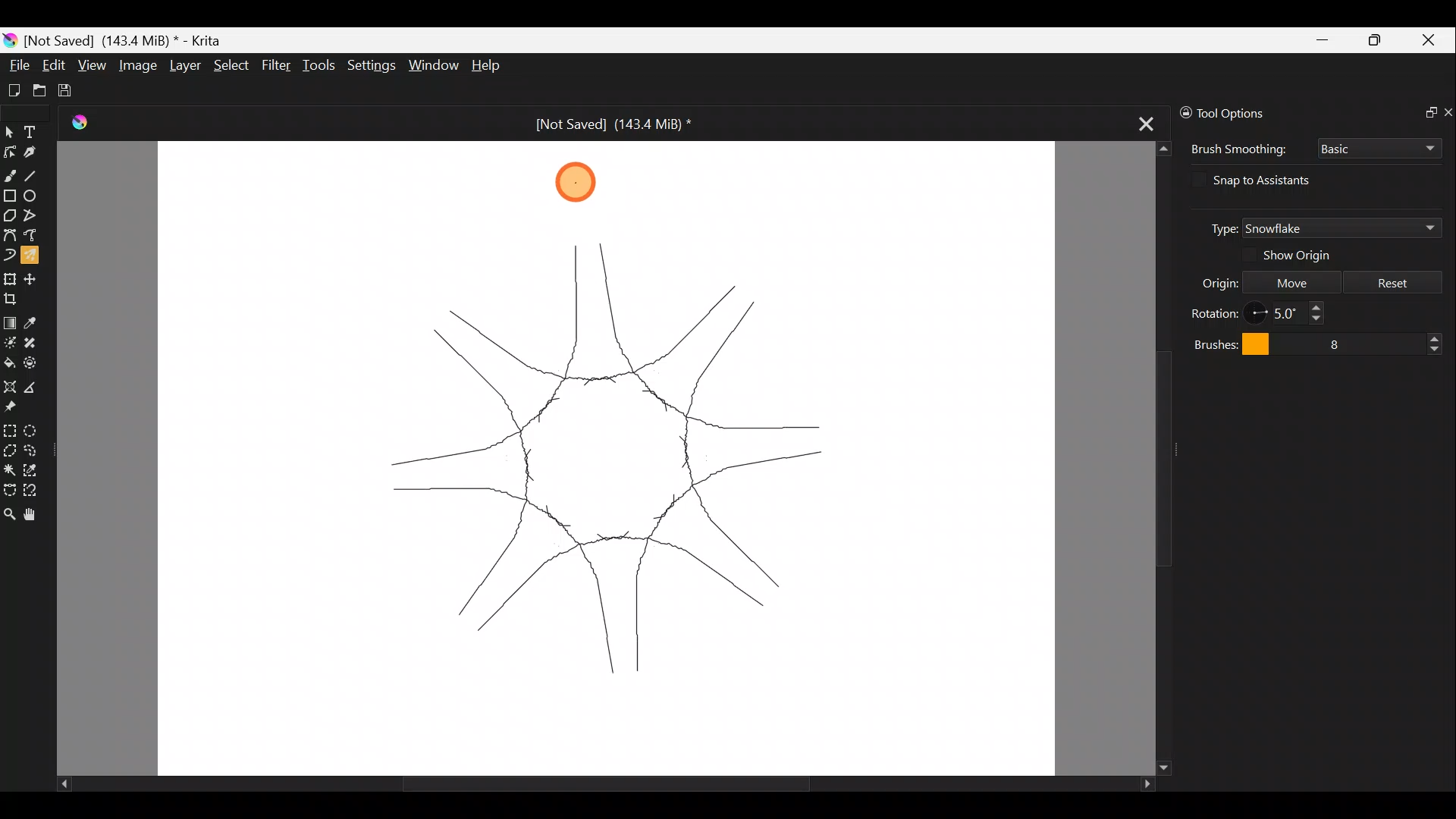 This screenshot has width=1456, height=819. What do you see at coordinates (601, 124) in the screenshot?
I see `Not Saved] (143.4 MiB) *` at bounding box center [601, 124].